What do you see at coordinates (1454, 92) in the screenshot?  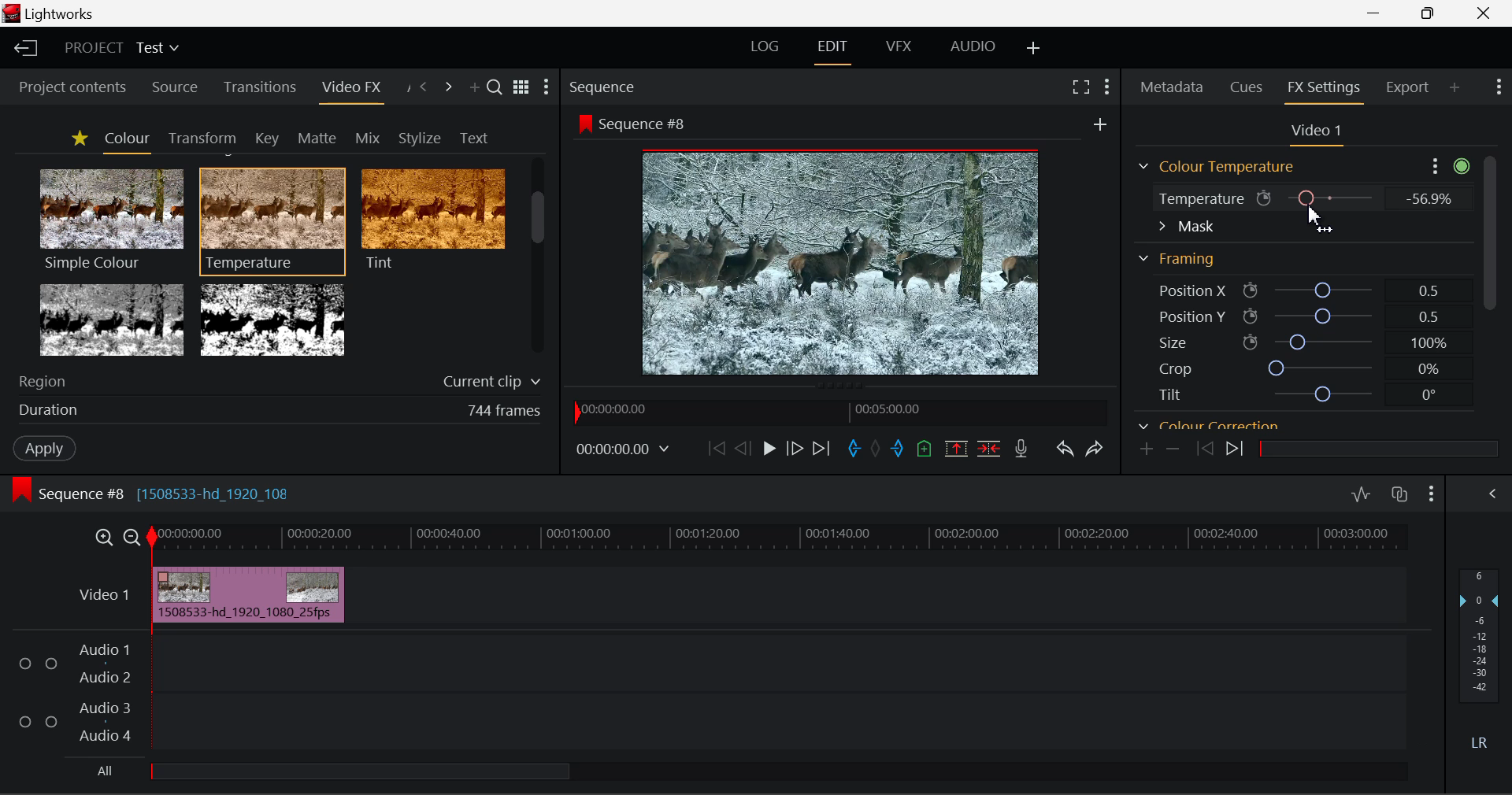 I see `Add Panel` at bounding box center [1454, 92].